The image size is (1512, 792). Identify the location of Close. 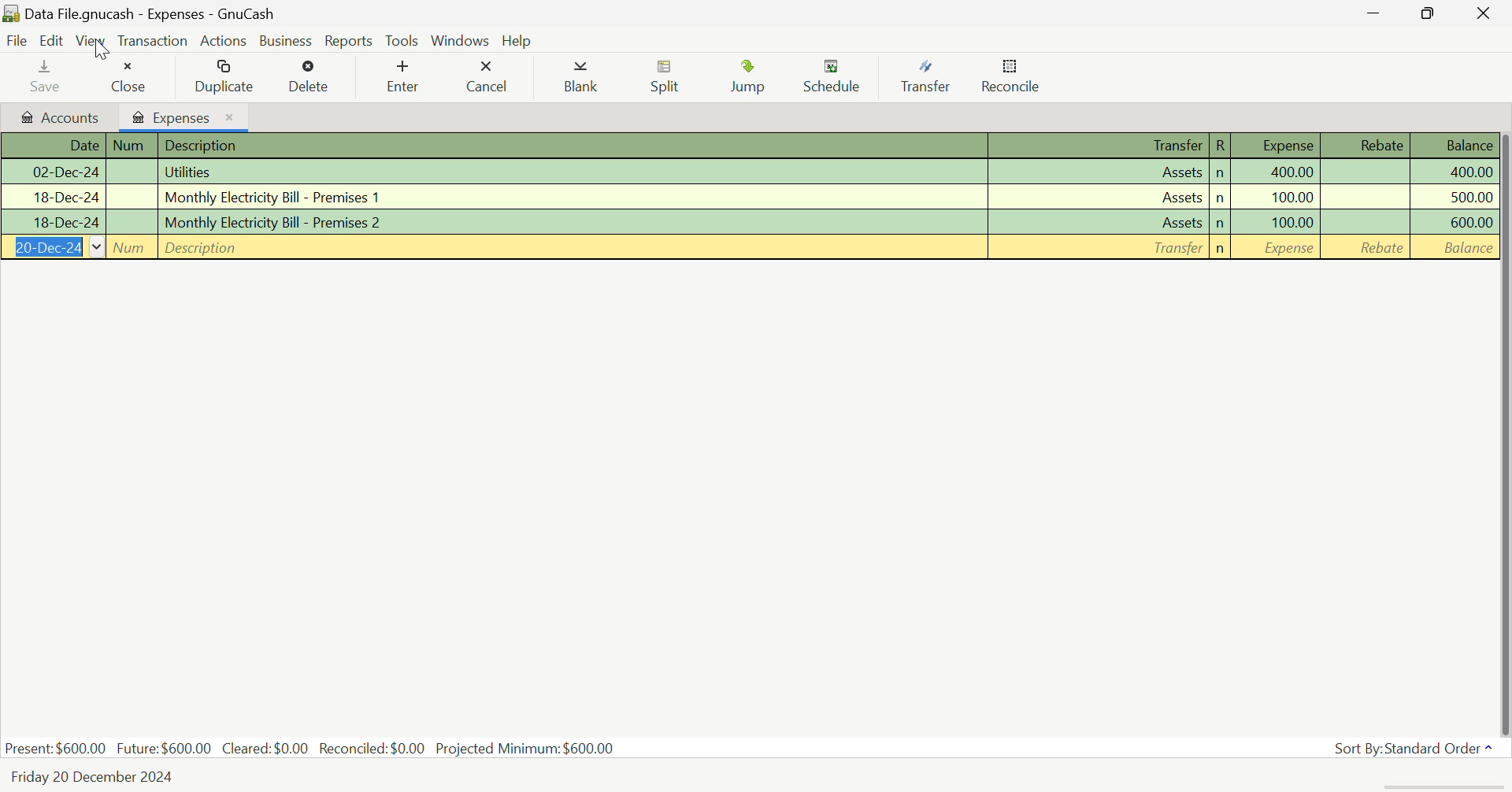
(1484, 13).